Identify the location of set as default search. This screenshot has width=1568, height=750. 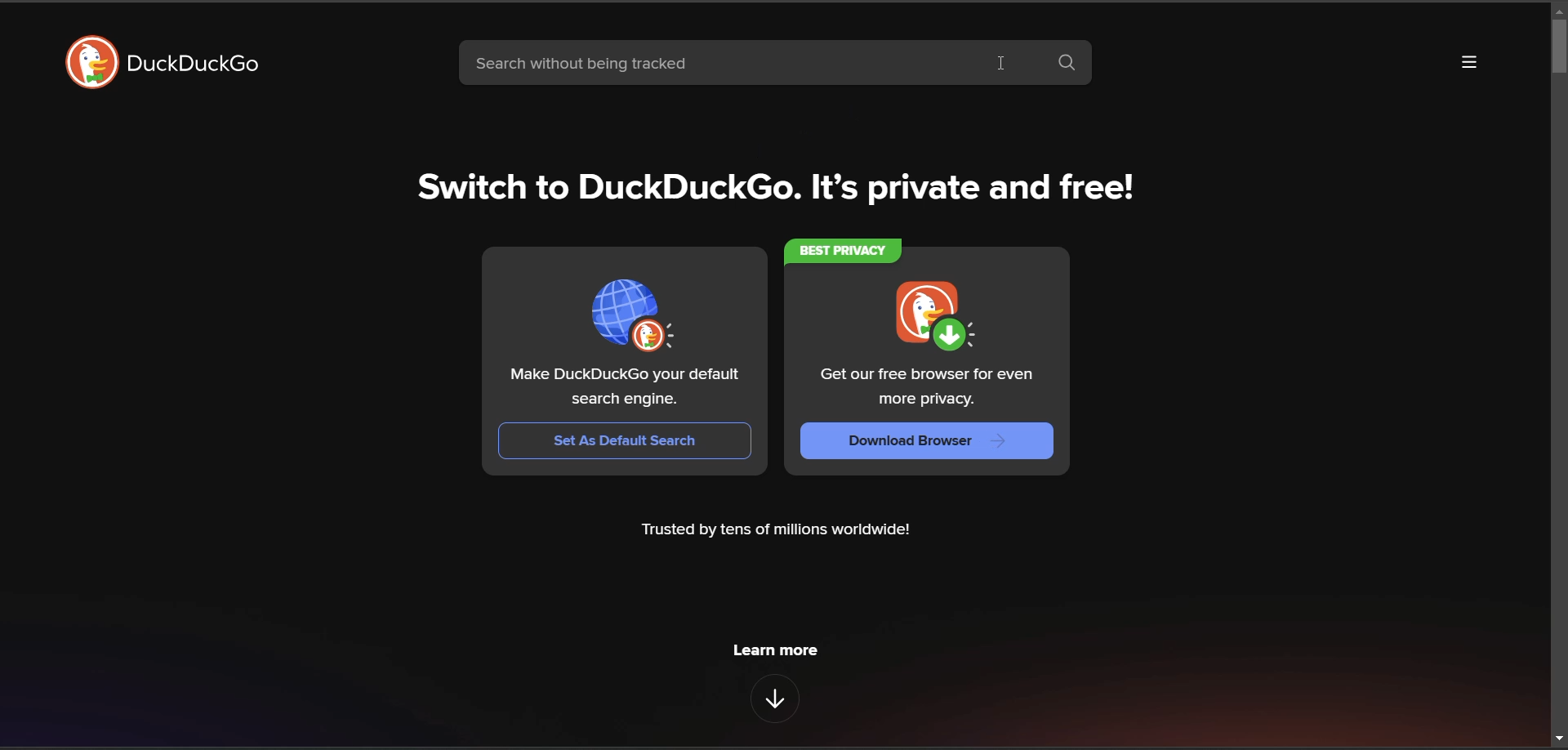
(612, 441).